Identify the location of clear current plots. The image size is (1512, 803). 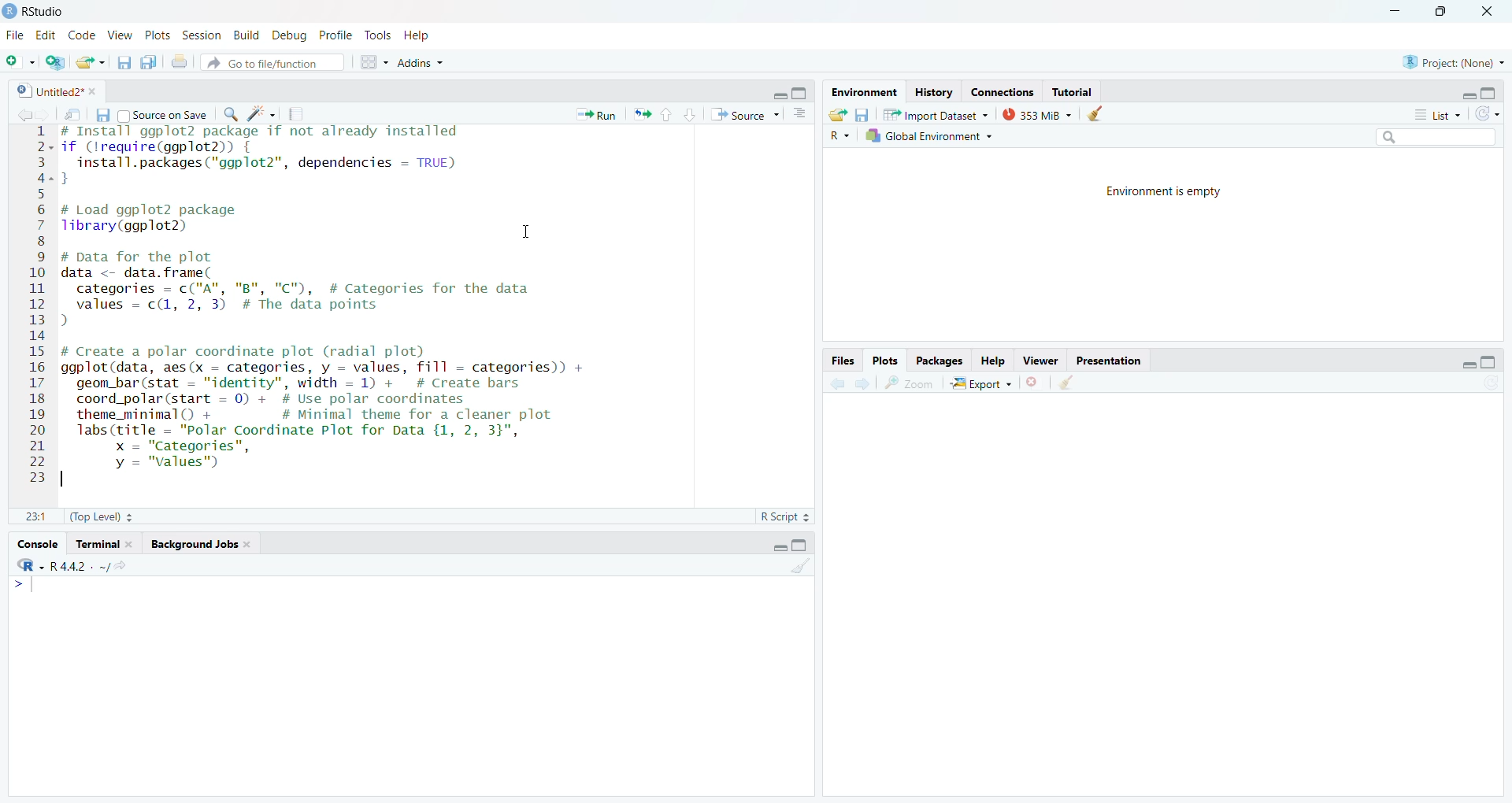
(1036, 381).